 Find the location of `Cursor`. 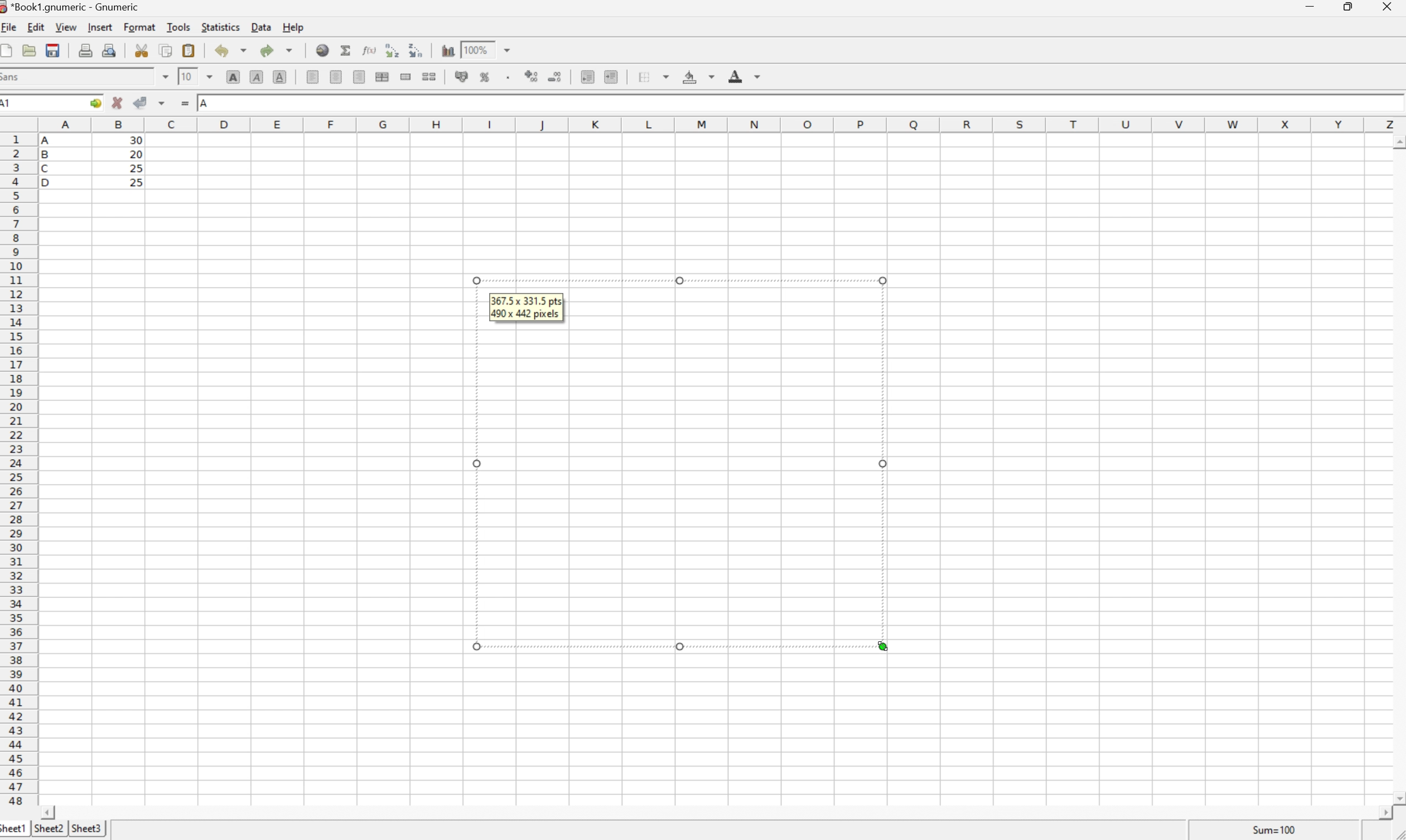

Cursor is located at coordinates (882, 646).